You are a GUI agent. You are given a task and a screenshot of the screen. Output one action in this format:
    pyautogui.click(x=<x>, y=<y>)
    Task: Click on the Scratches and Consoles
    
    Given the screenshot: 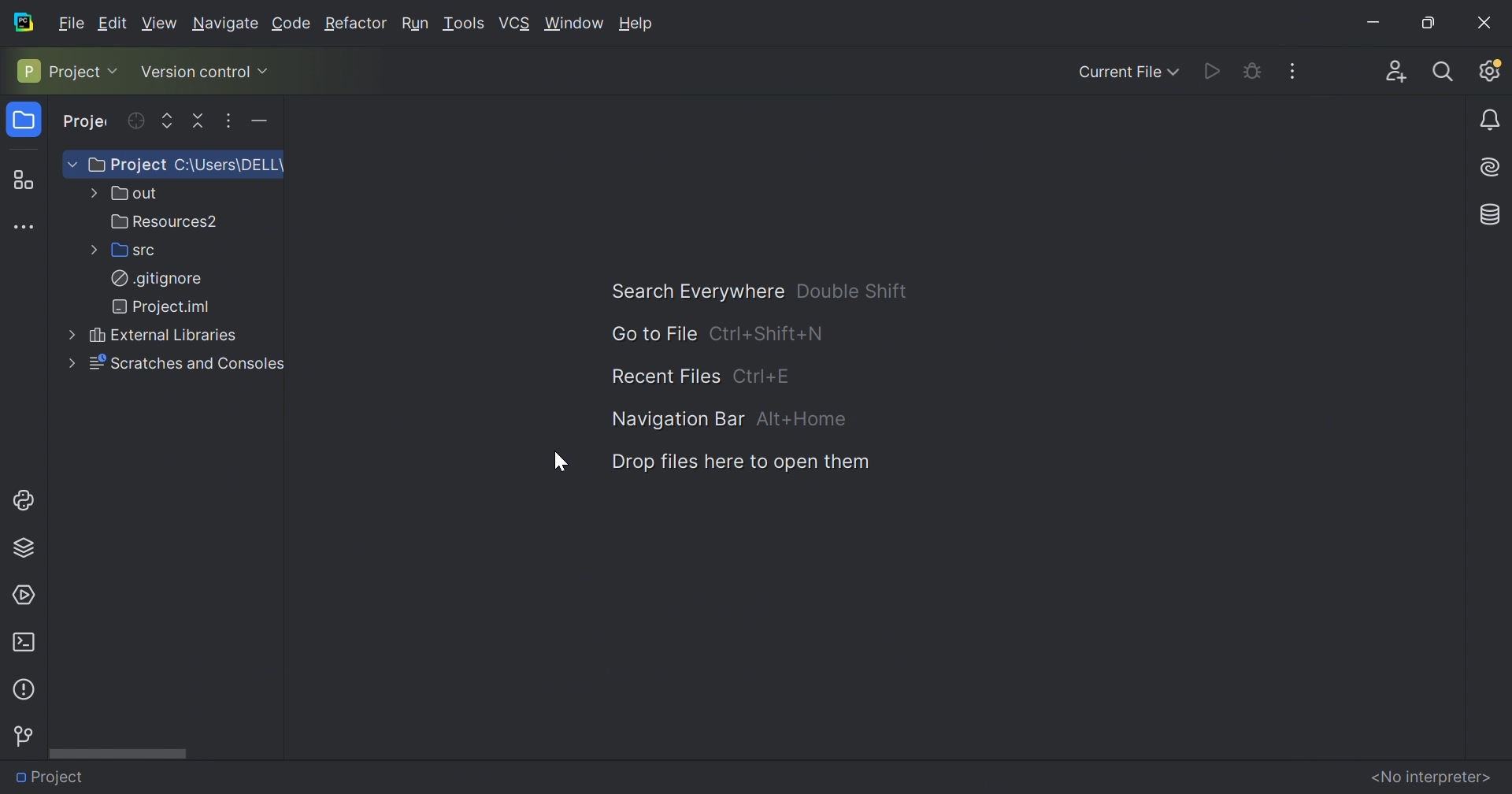 What is the action you would take?
    pyautogui.click(x=183, y=362)
    